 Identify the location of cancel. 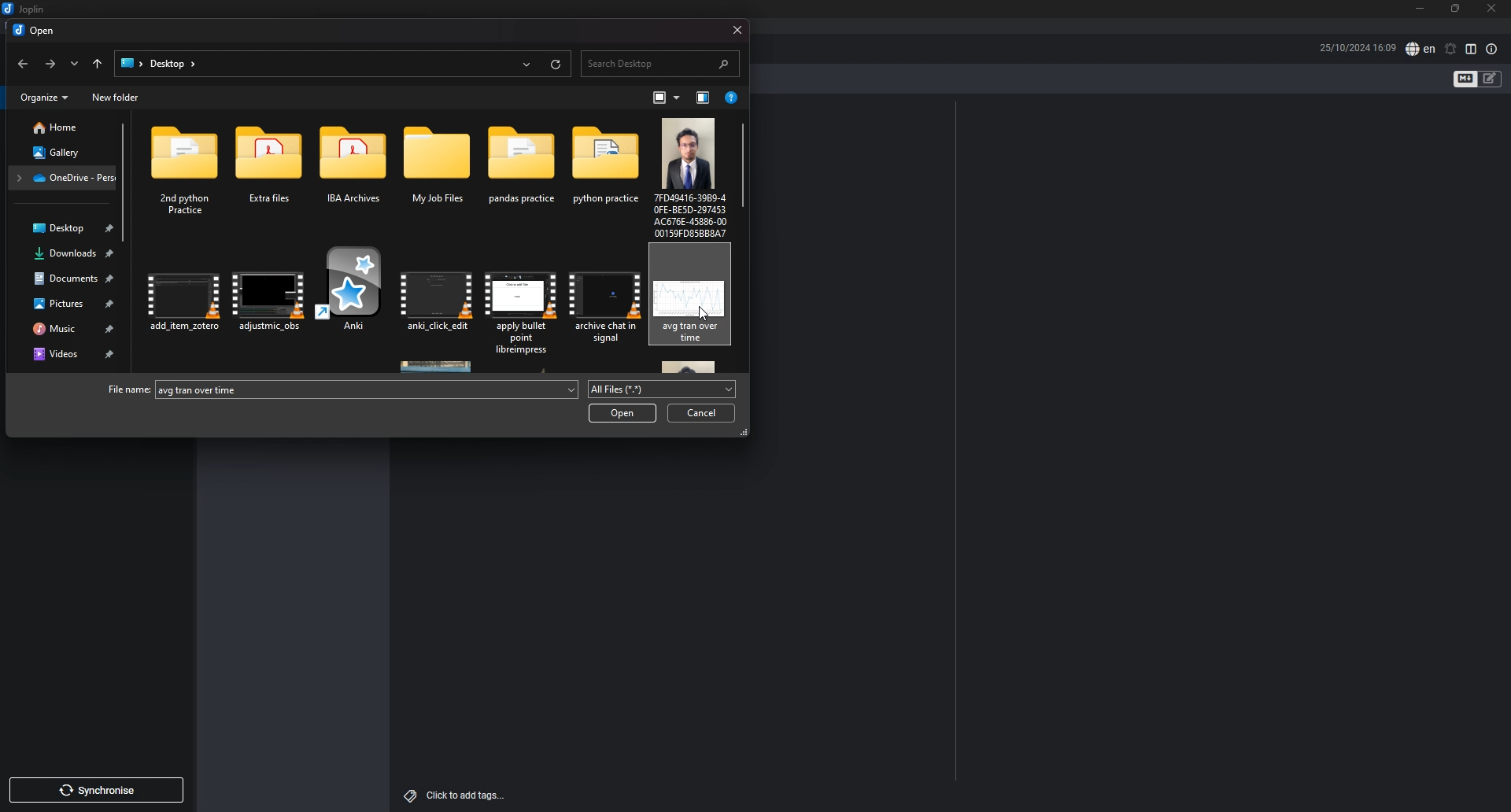
(701, 412).